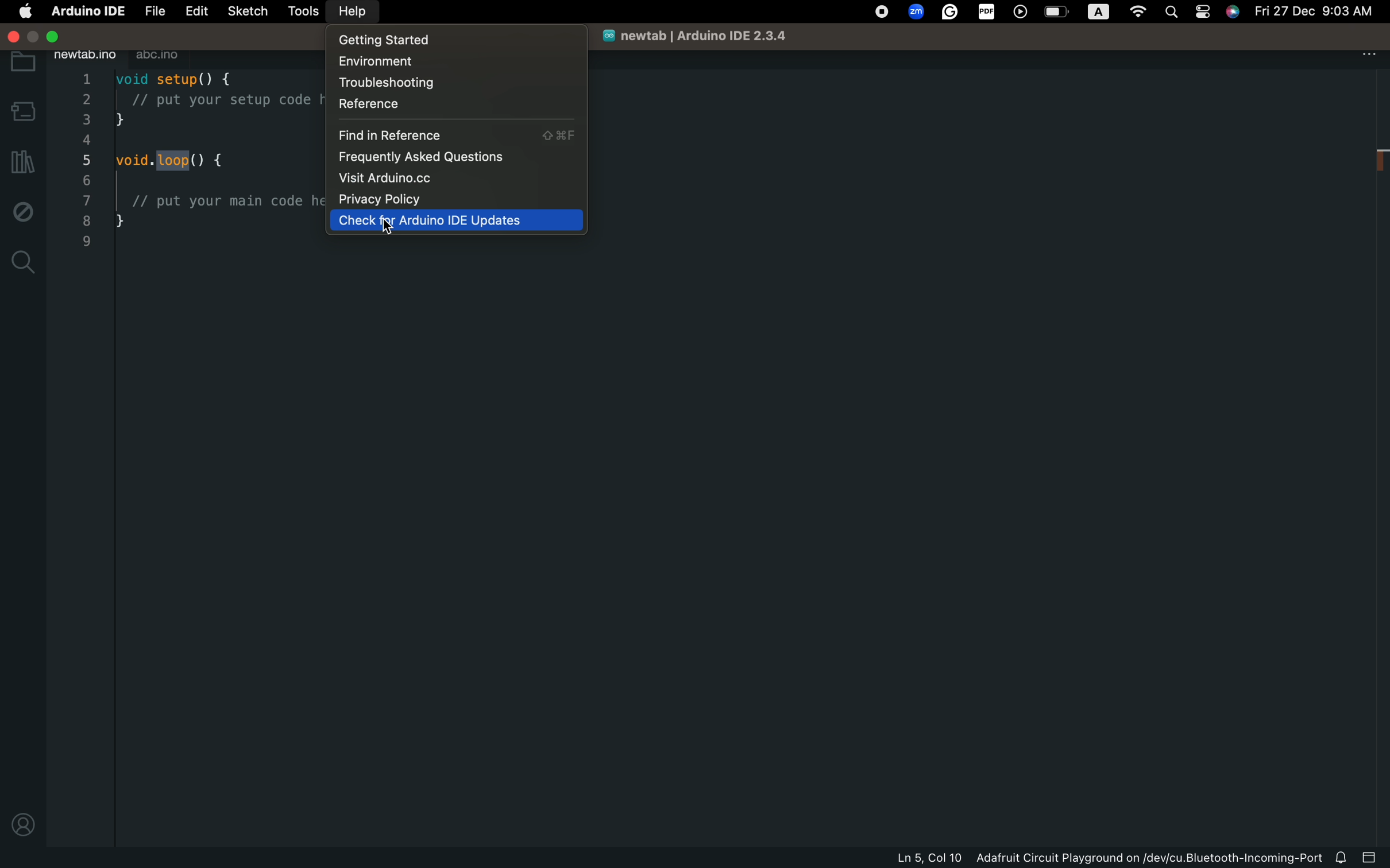 This screenshot has width=1390, height=868. Describe the element at coordinates (37, 36) in the screenshot. I see `Maximize` at that location.